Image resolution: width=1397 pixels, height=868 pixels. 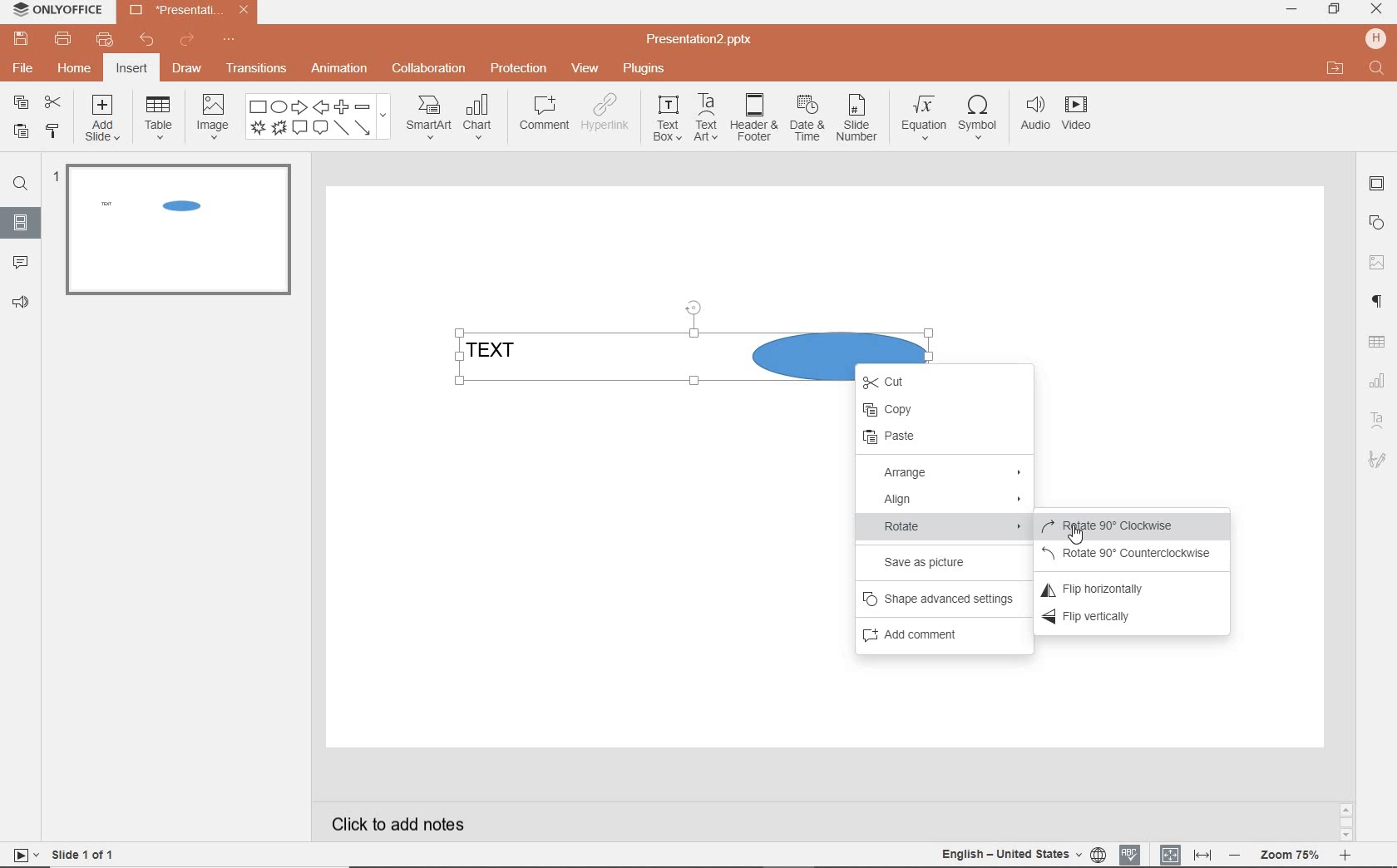 What do you see at coordinates (1378, 220) in the screenshot?
I see `SHAPE SETTINGS` at bounding box center [1378, 220].